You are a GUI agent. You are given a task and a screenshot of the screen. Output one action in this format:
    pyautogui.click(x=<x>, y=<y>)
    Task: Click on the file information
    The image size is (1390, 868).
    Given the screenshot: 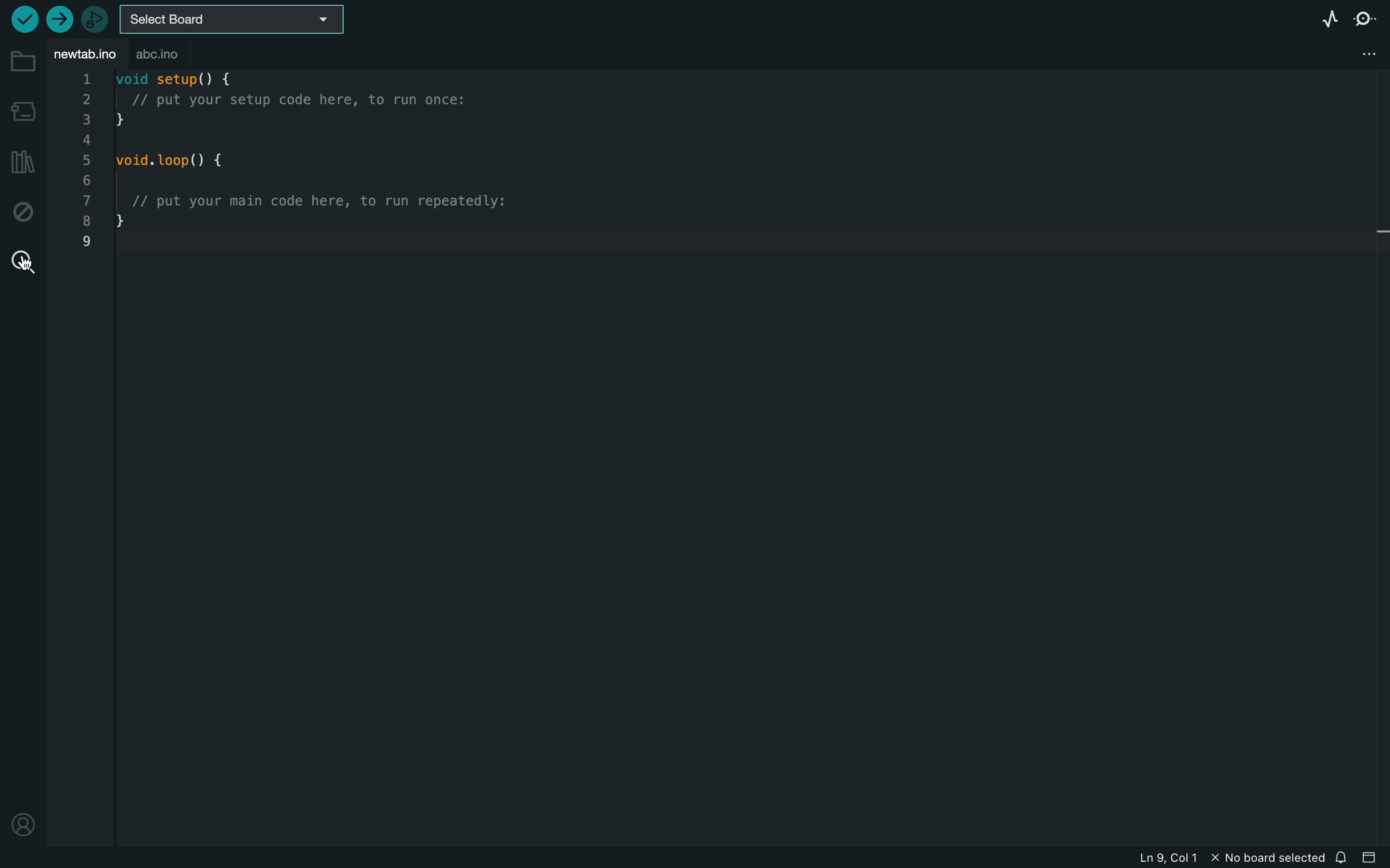 What is the action you would take?
    pyautogui.click(x=1212, y=856)
    